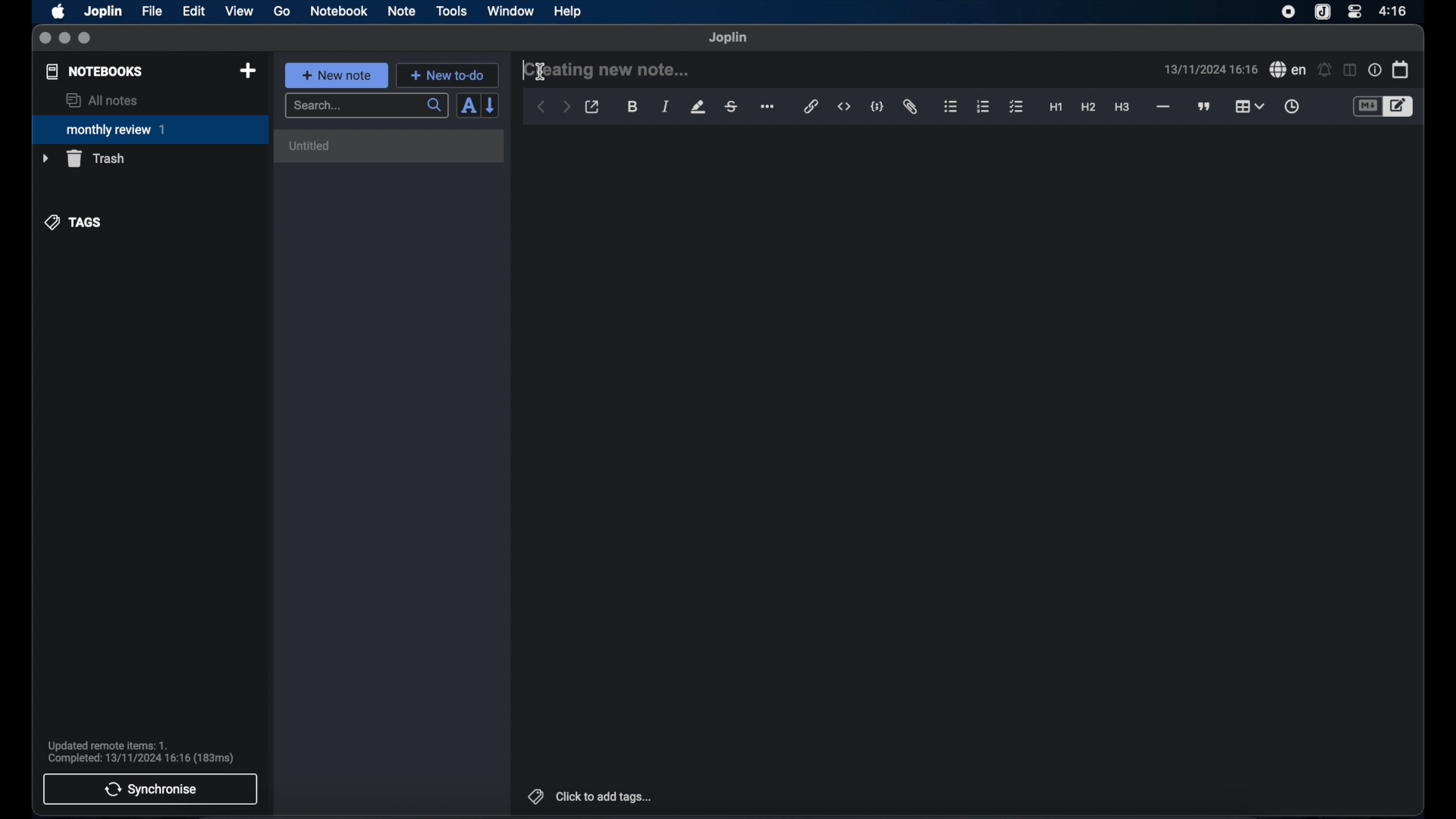  Describe the element at coordinates (1210, 69) in the screenshot. I see `date` at that location.